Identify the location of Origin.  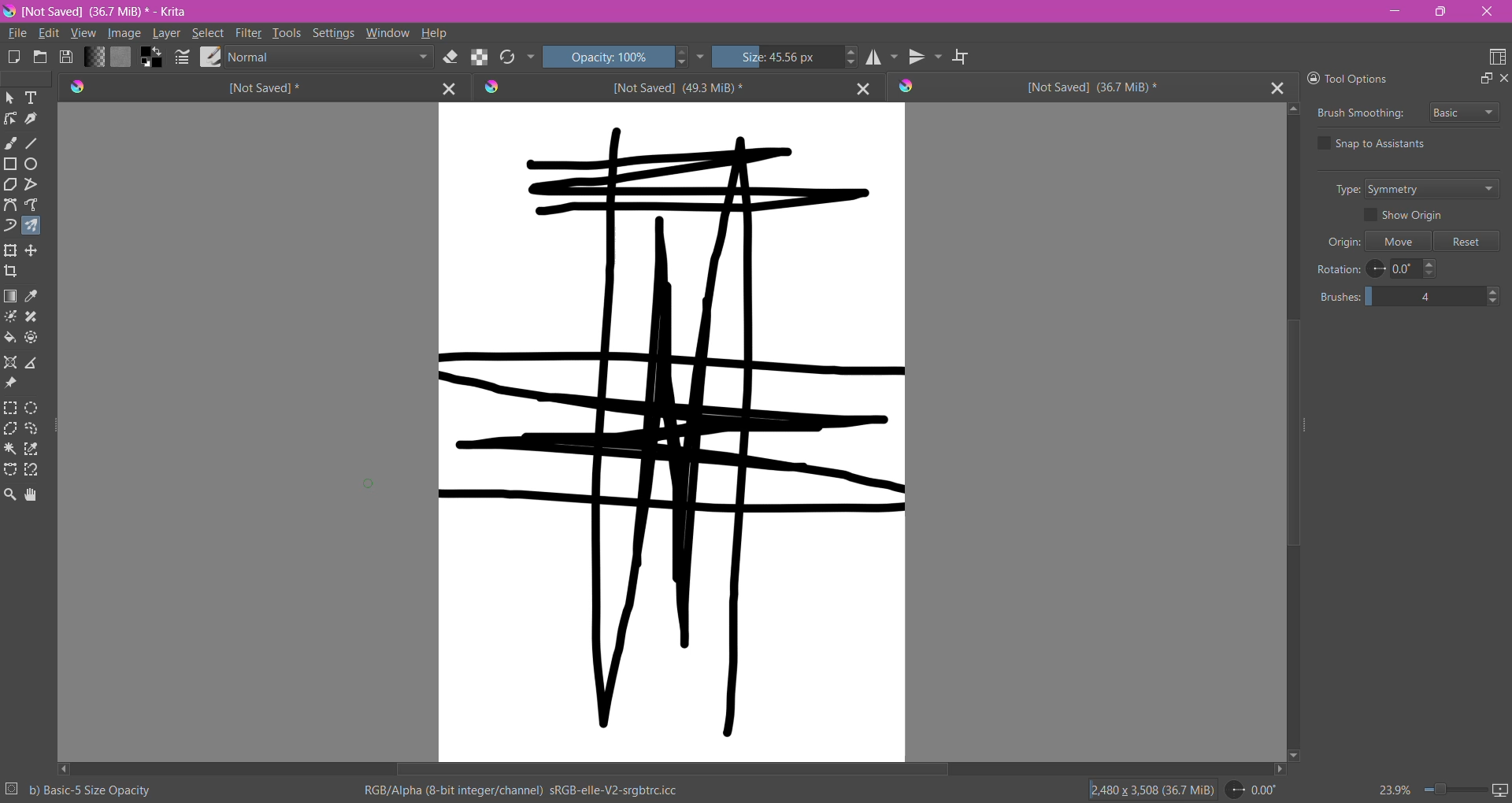
(1339, 243).